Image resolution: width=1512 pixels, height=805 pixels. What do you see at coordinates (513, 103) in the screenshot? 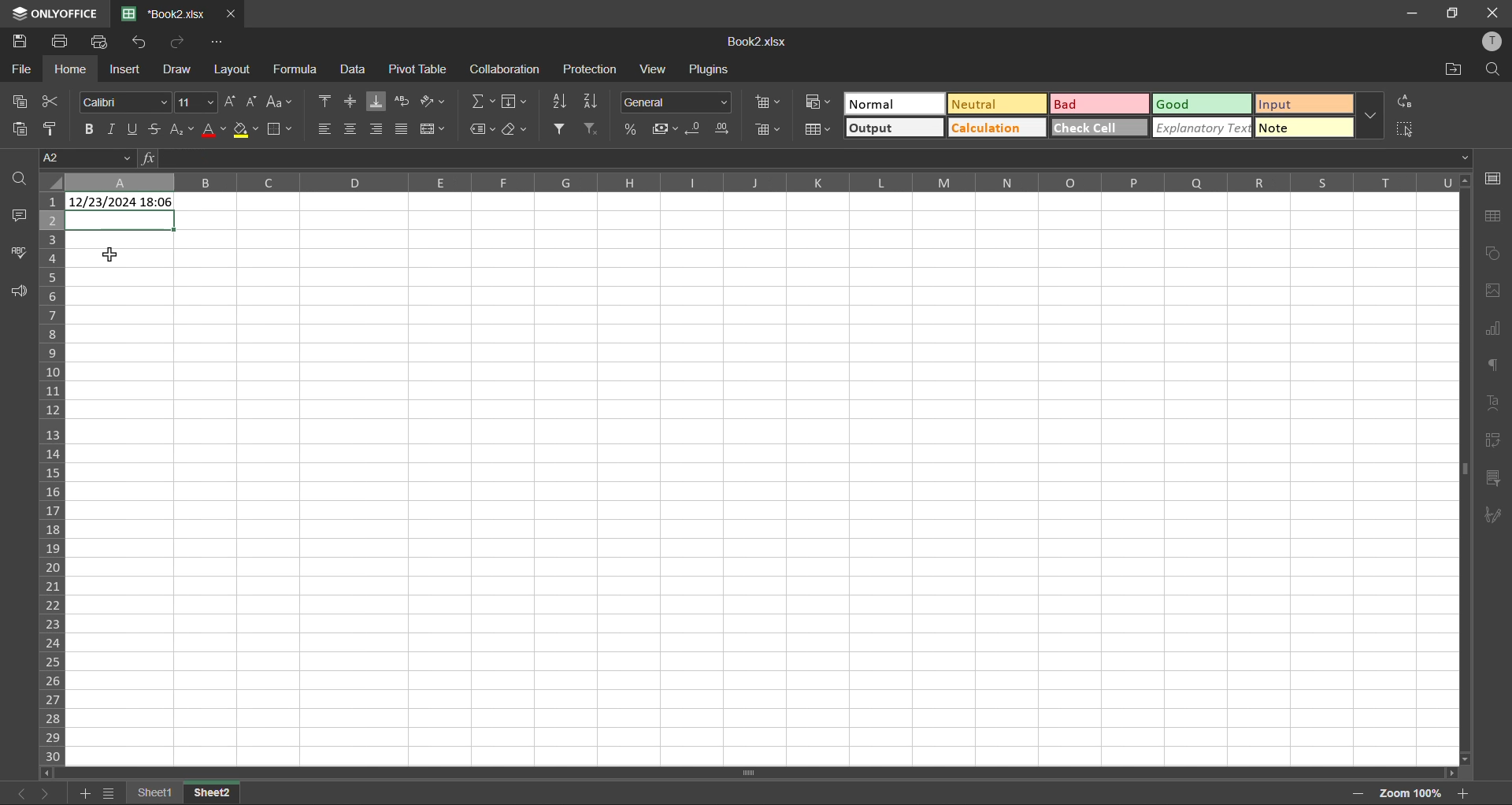
I see `fields` at bounding box center [513, 103].